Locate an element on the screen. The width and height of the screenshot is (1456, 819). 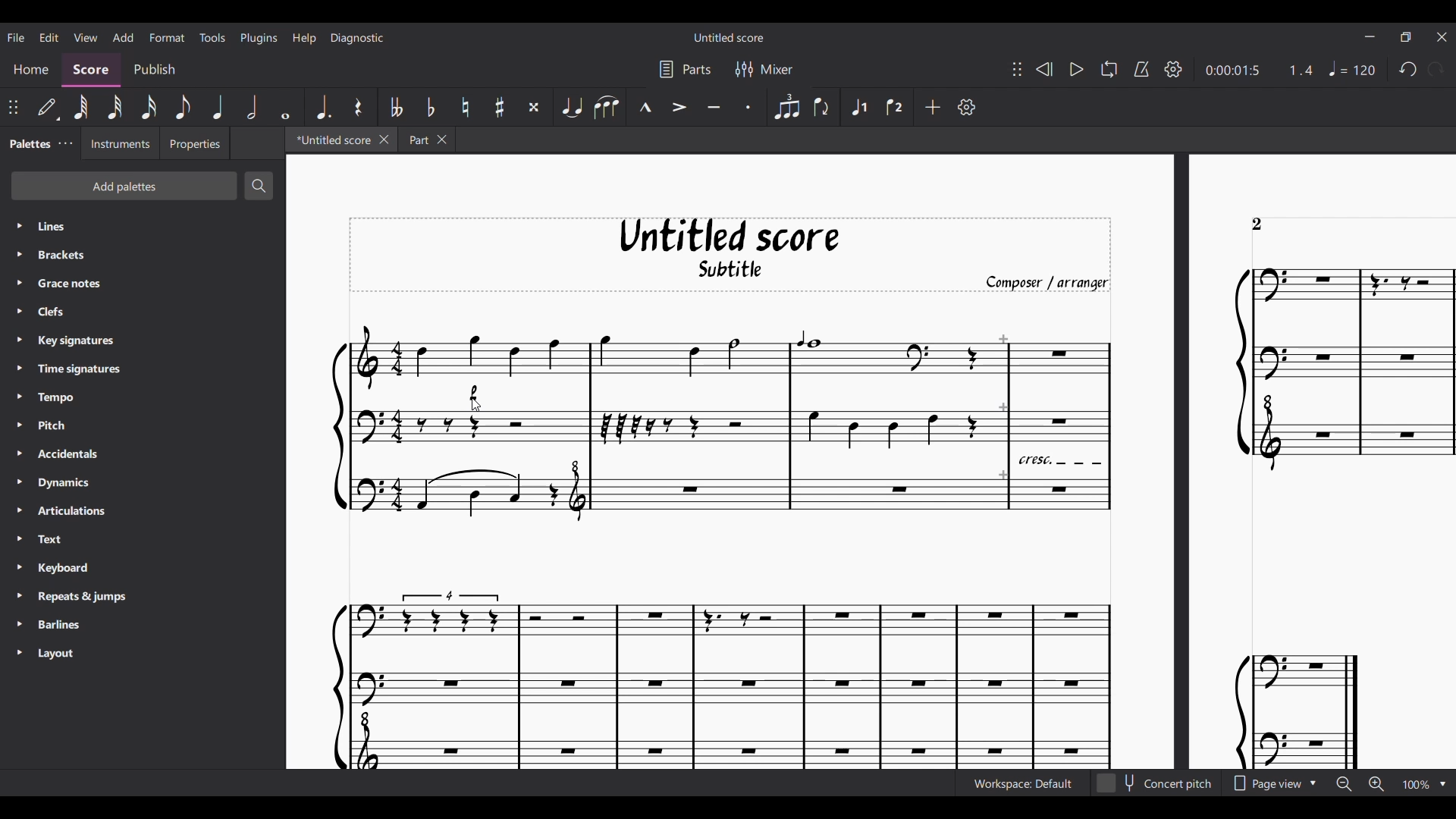
View menu is located at coordinates (86, 36).